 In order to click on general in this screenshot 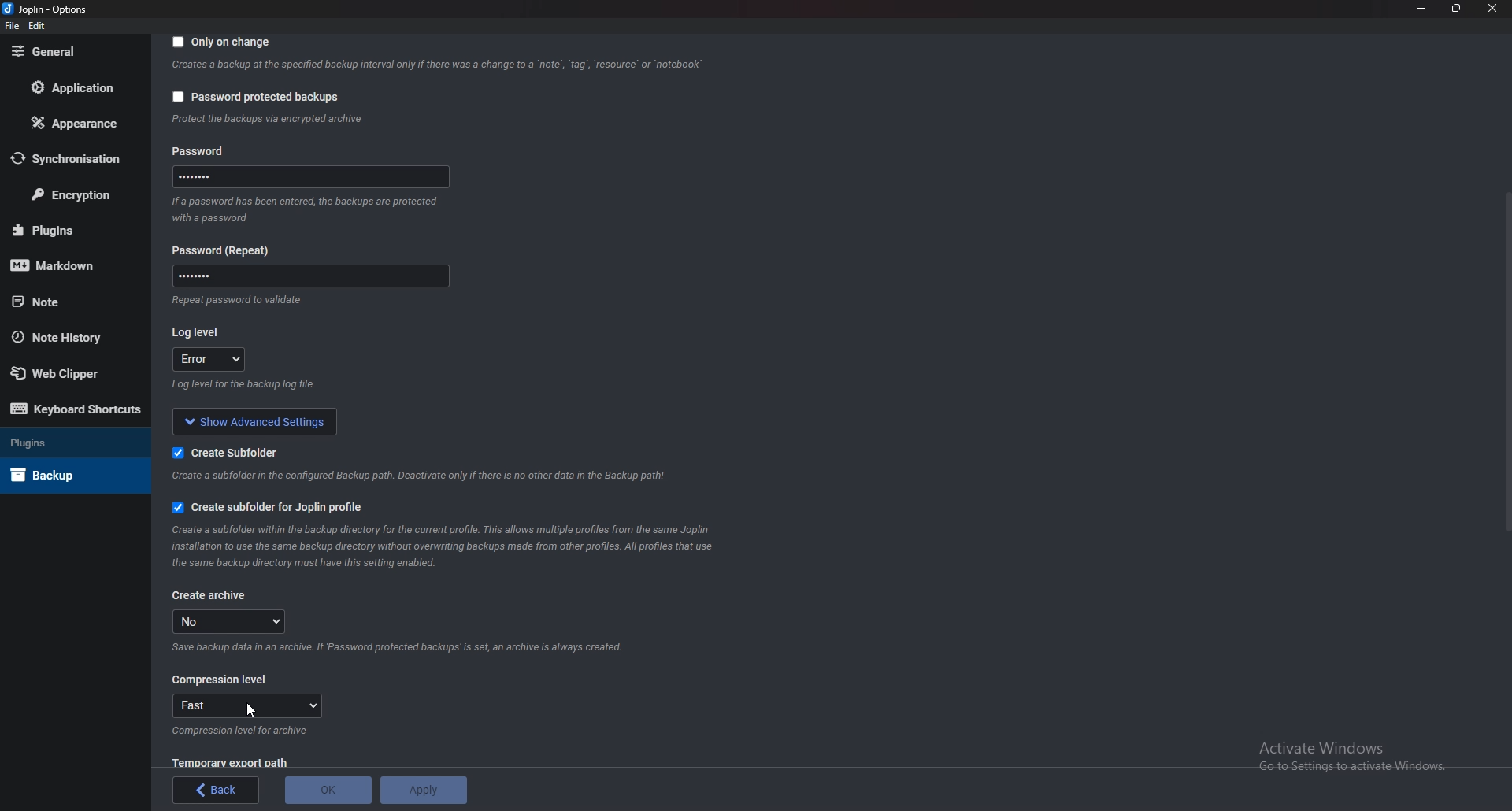, I will do `click(68, 52)`.